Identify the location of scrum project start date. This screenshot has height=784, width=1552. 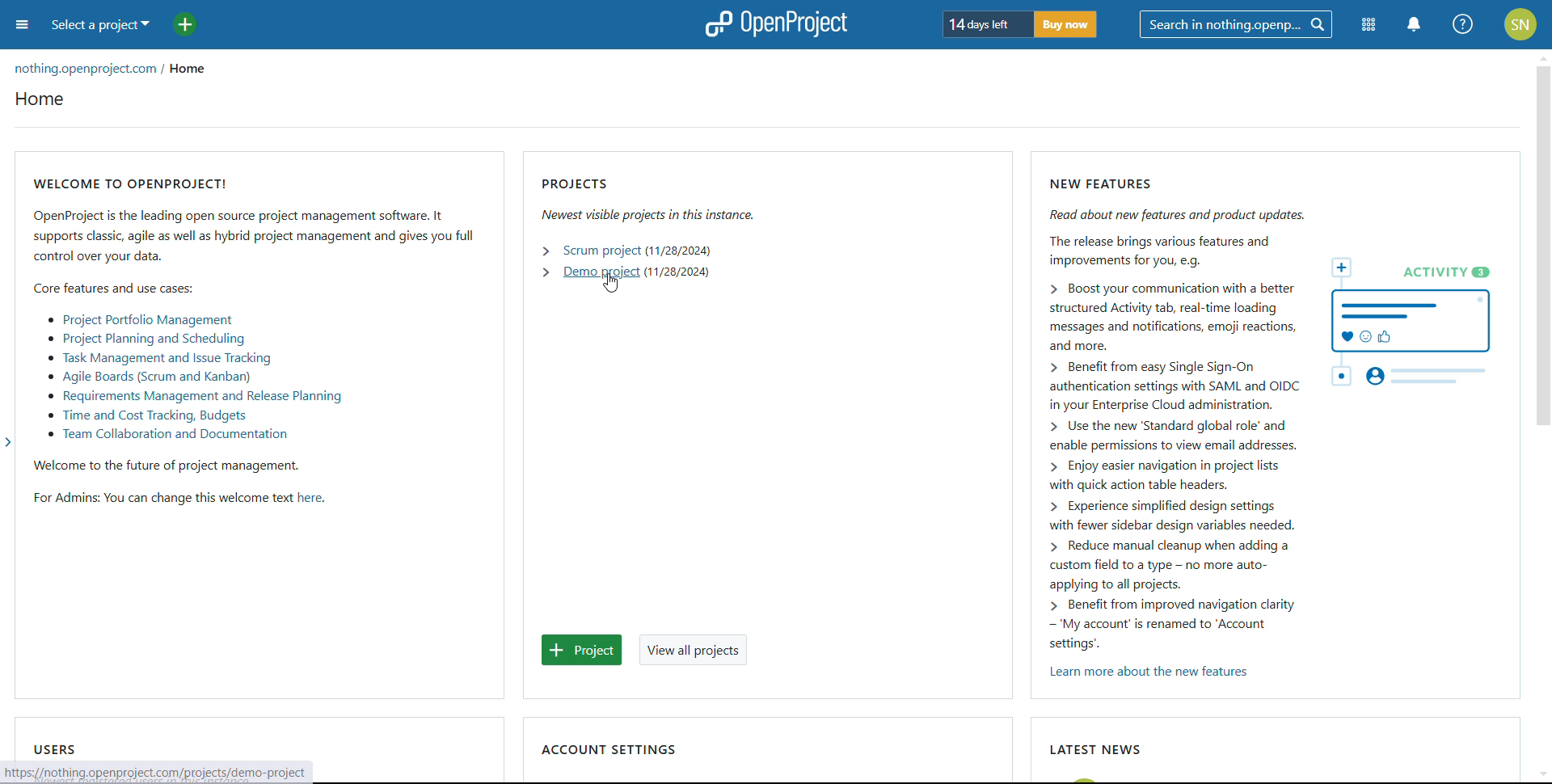
(680, 251).